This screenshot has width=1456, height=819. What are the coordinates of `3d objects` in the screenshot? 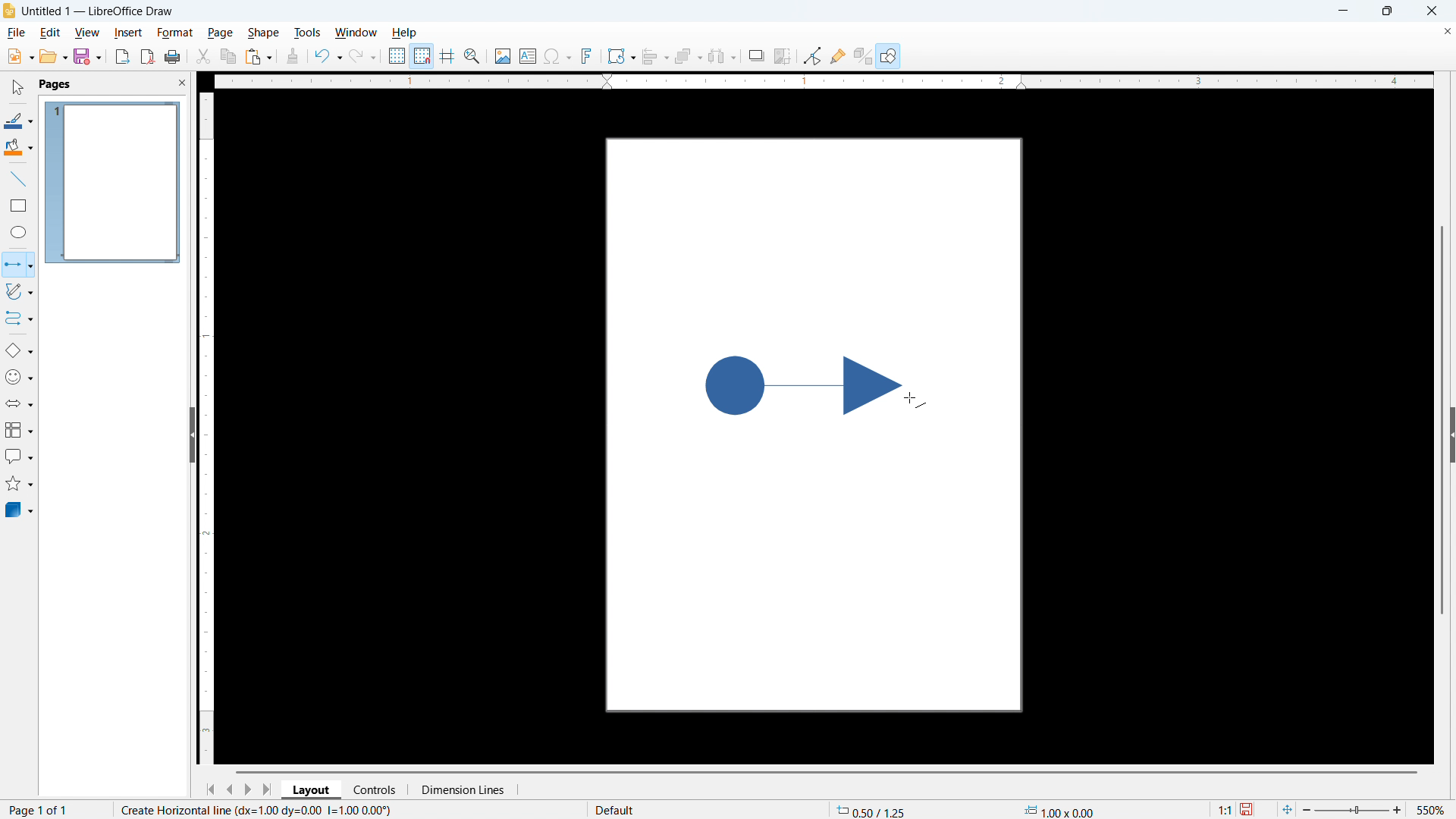 It's located at (20, 510).